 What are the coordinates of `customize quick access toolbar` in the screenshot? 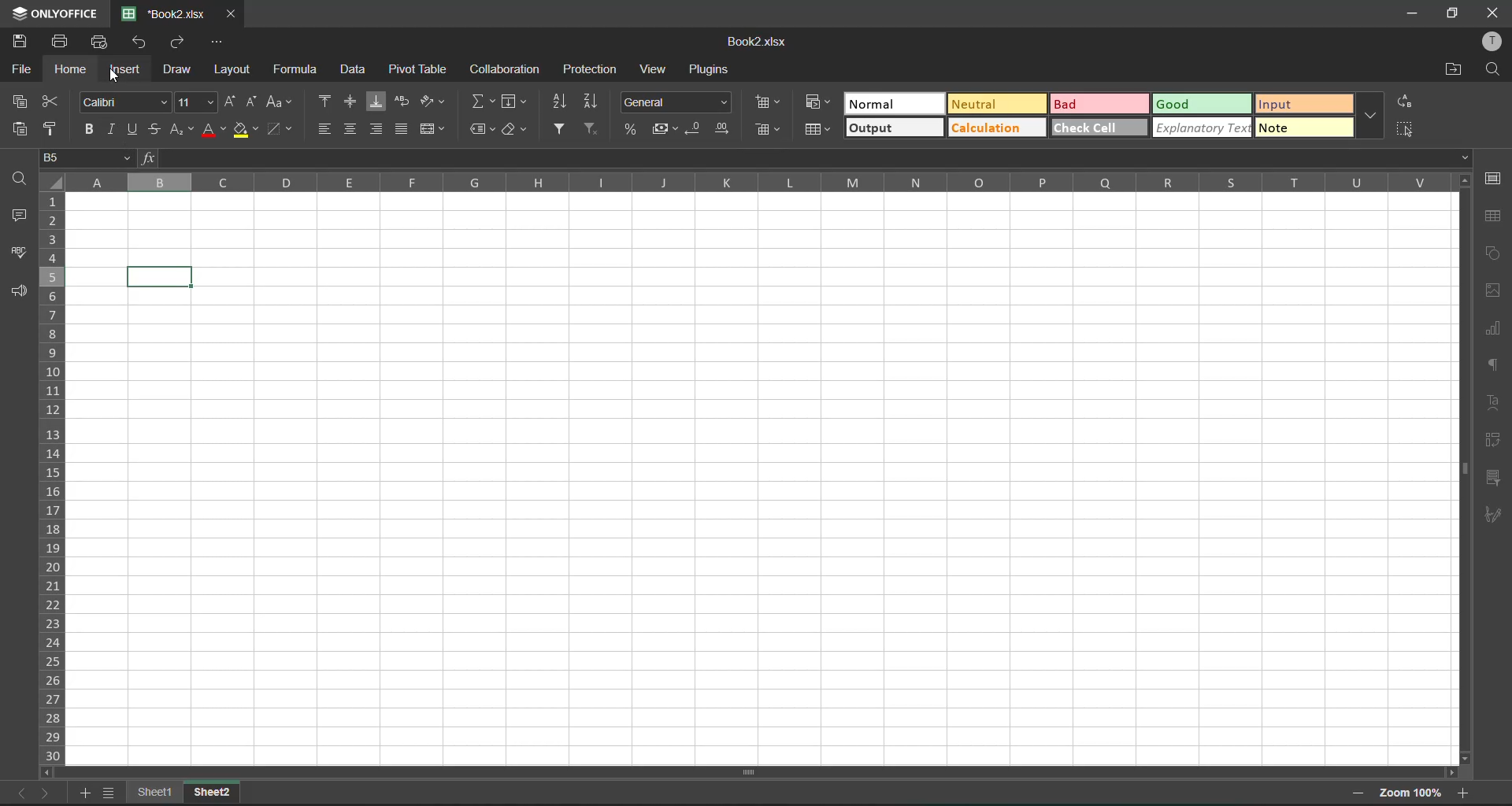 It's located at (217, 43).